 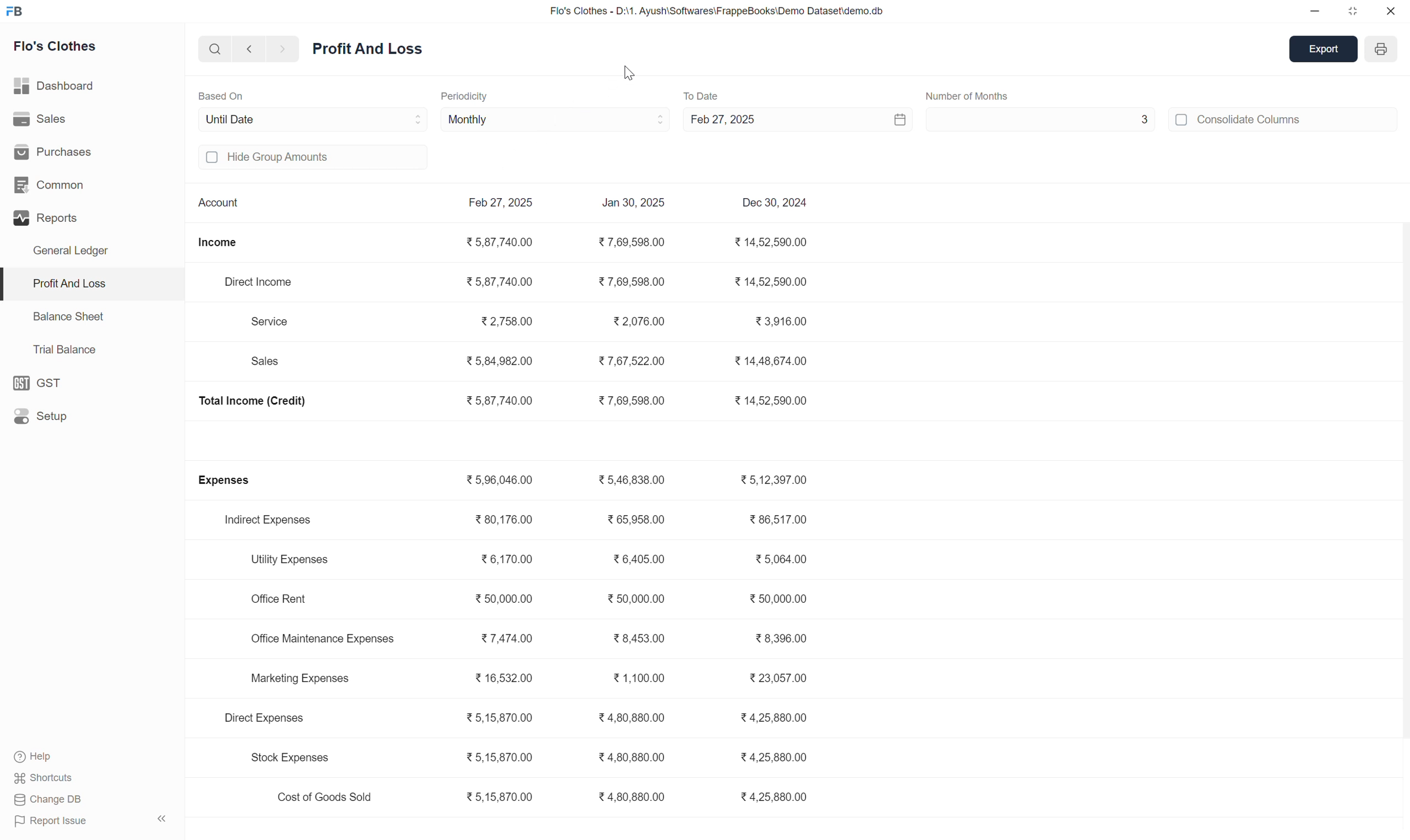 What do you see at coordinates (499, 759) in the screenshot?
I see `₹5,15,870.00` at bounding box center [499, 759].